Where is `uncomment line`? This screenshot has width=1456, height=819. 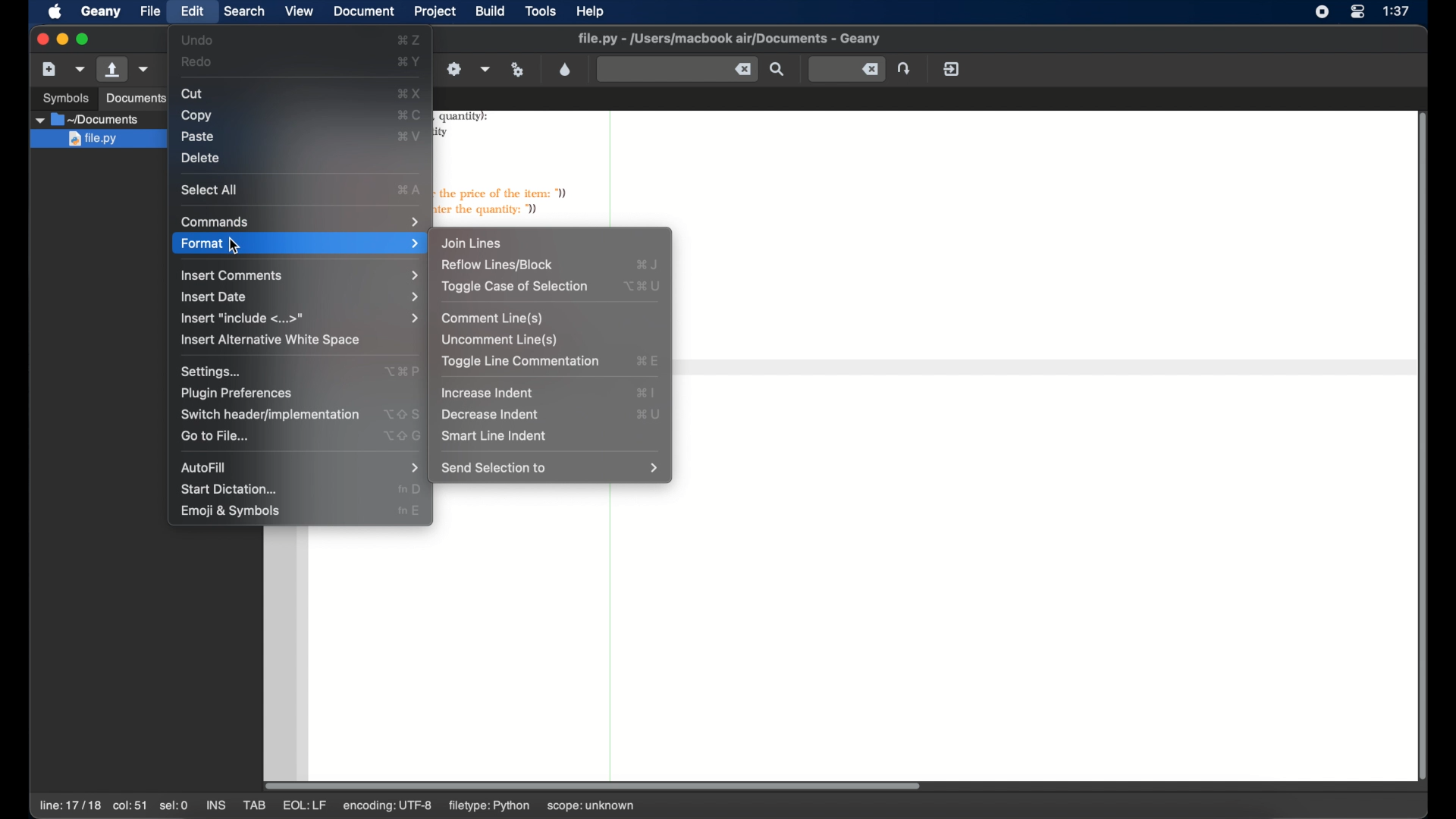 uncomment line is located at coordinates (499, 340).